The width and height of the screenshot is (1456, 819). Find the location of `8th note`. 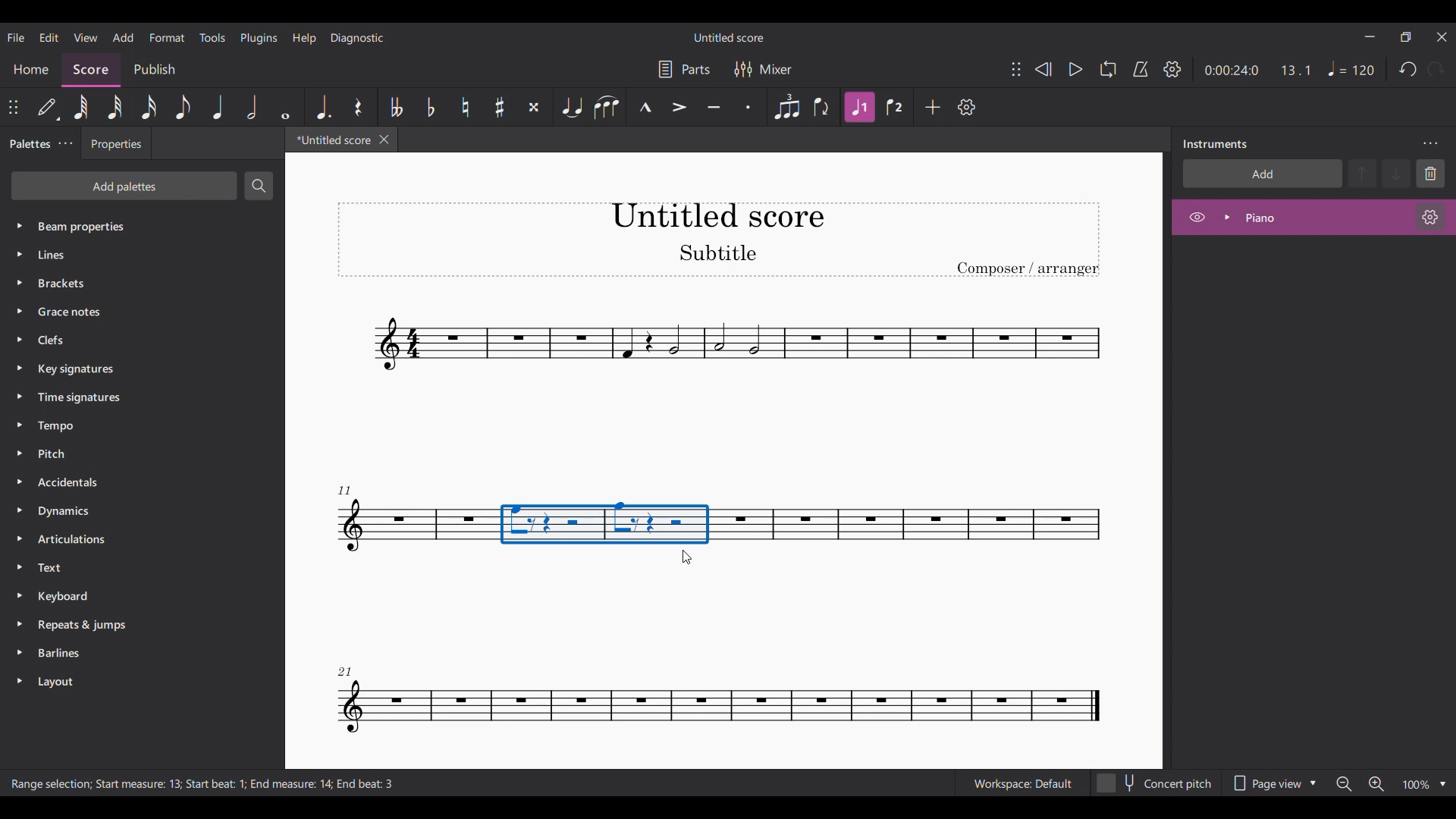

8th note is located at coordinates (183, 107).